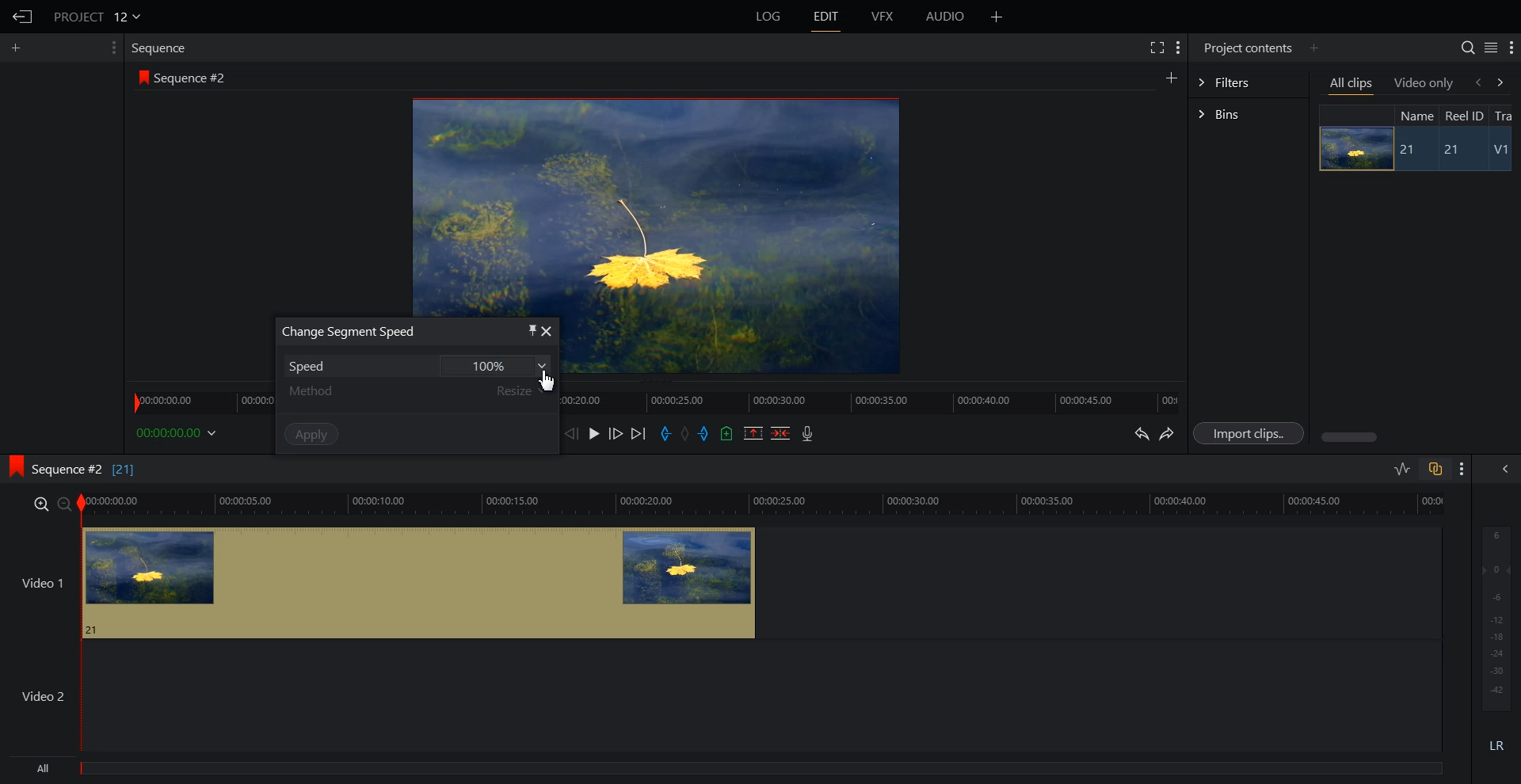  What do you see at coordinates (1351, 148) in the screenshot?
I see `Image` at bounding box center [1351, 148].